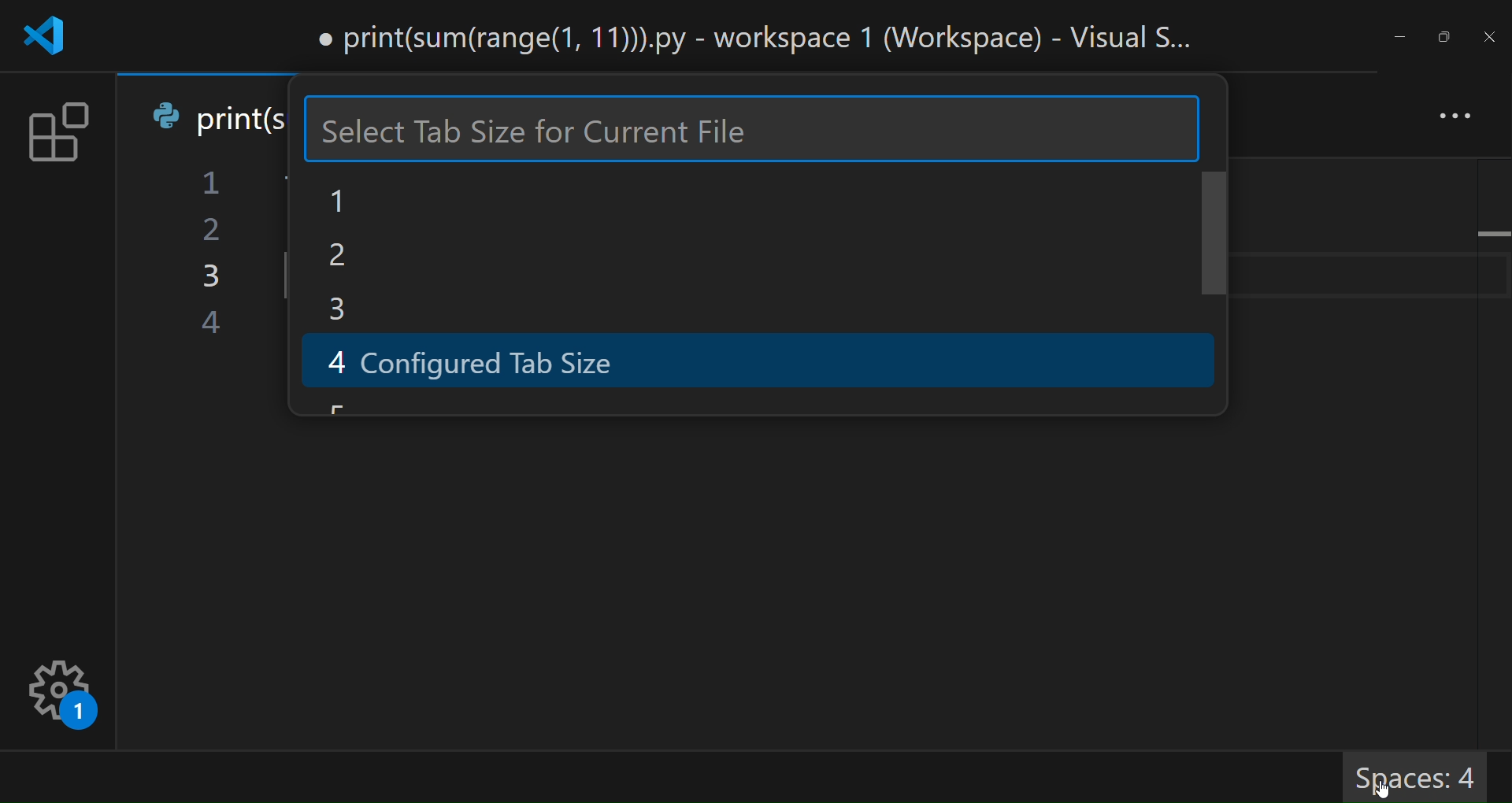 This screenshot has width=1512, height=803. I want to click on maximize, so click(1445, 37).